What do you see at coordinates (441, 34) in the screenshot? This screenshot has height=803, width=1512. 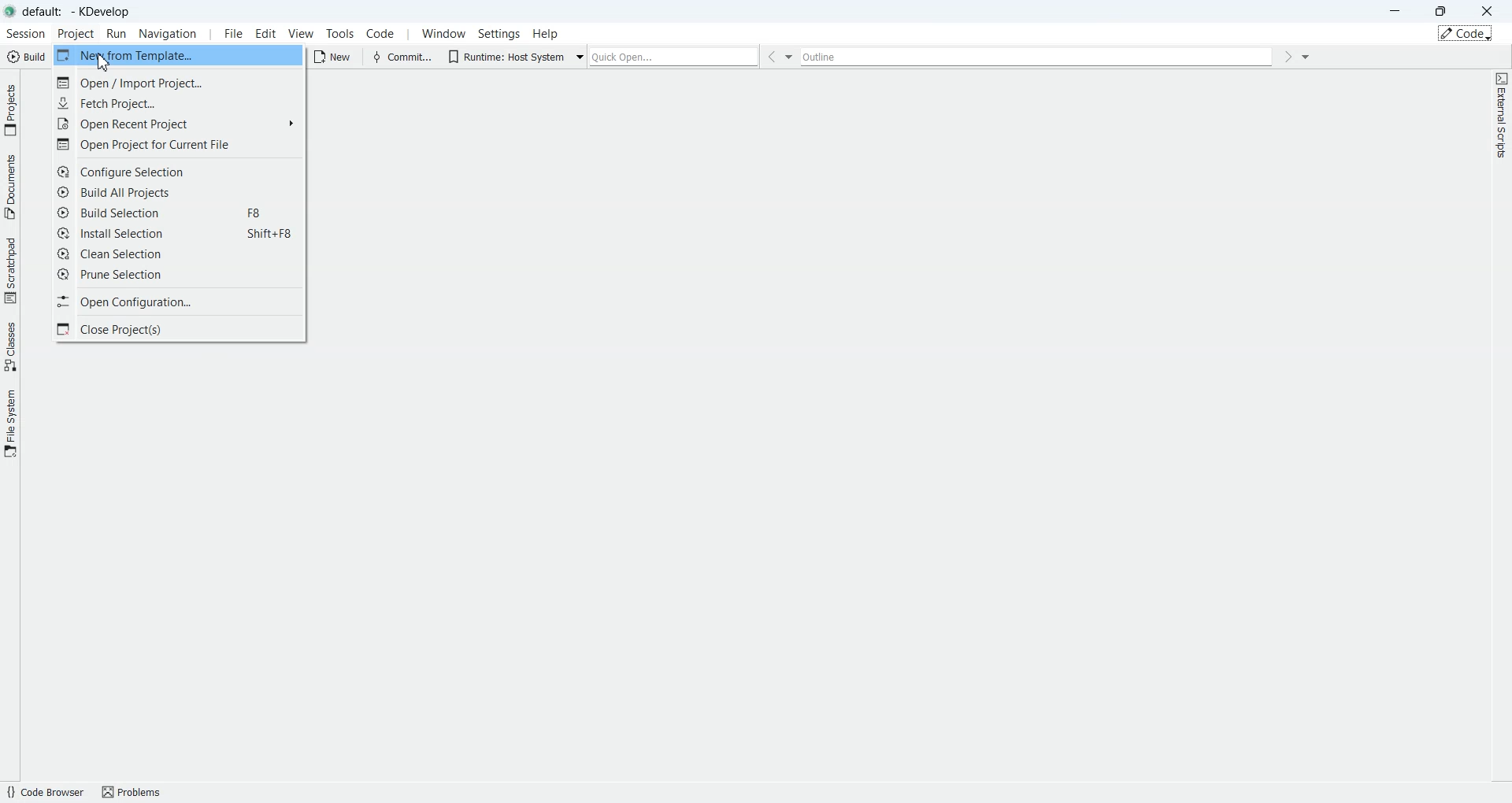 I see `Window` at bounding box center [441, 34].